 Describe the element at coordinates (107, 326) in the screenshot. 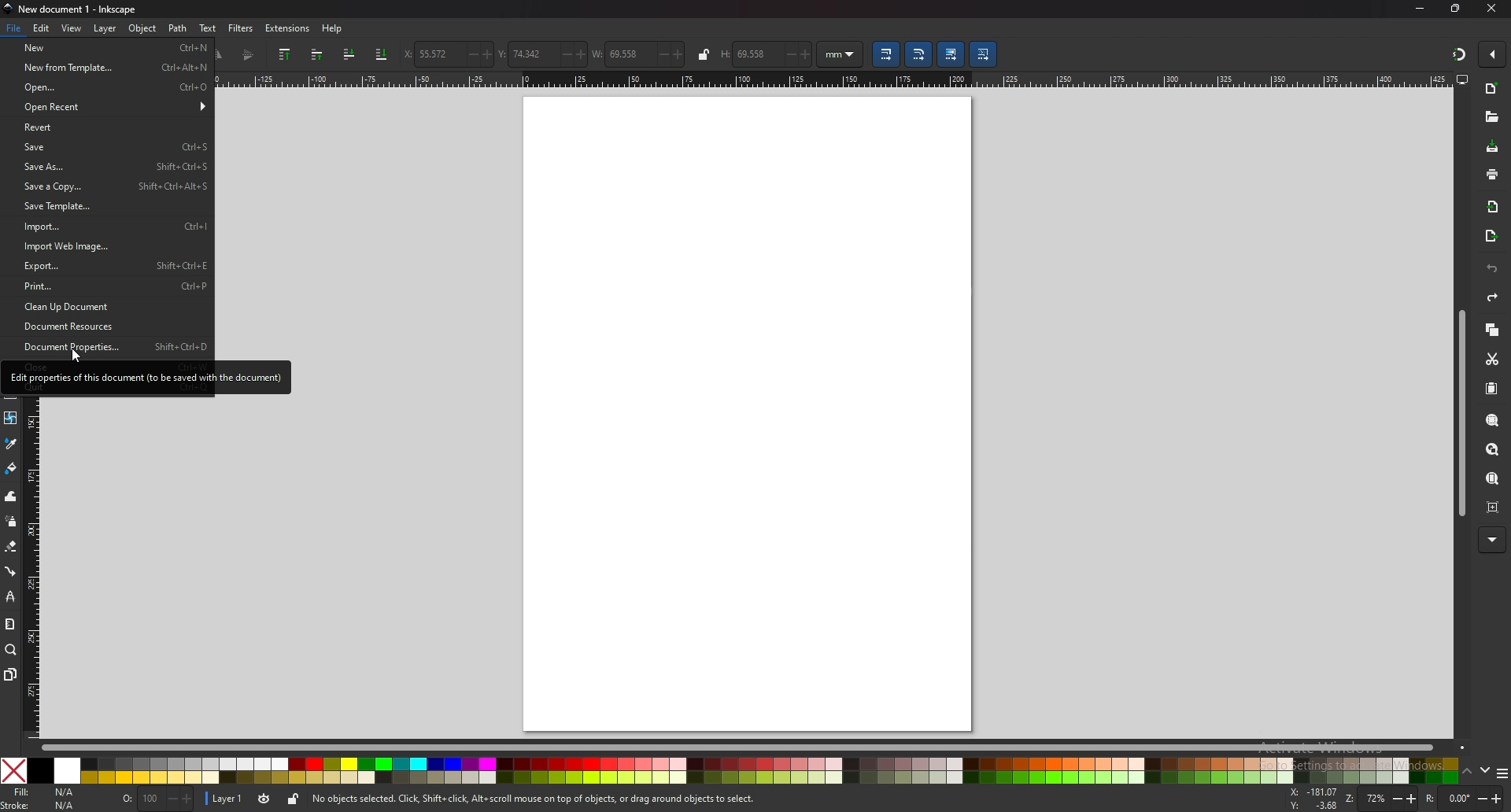

I see `document resource` at that location.